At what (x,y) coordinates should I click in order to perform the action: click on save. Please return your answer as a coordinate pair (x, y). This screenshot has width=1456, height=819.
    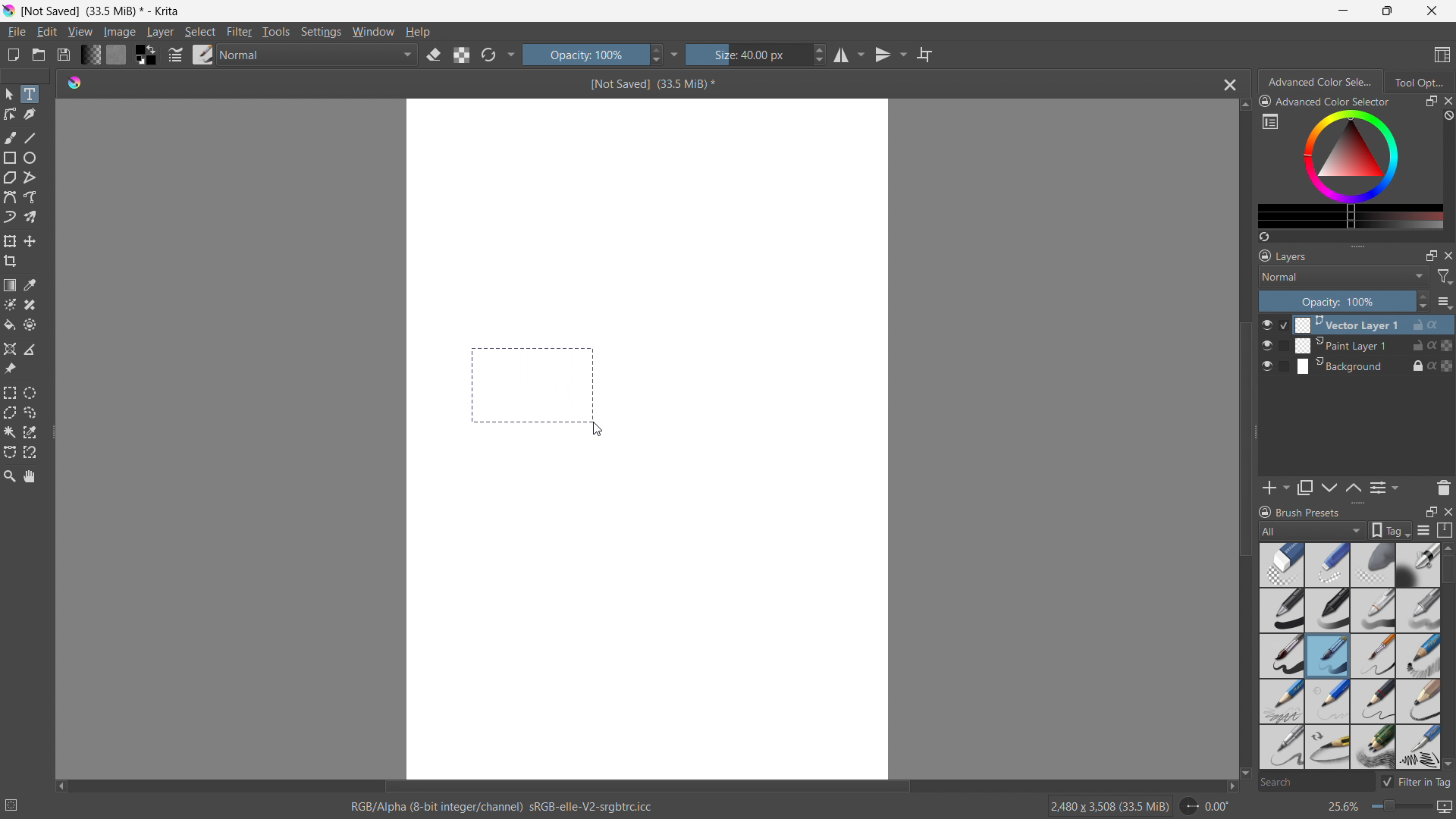
    Looking at the image, I should click on (63, 55).